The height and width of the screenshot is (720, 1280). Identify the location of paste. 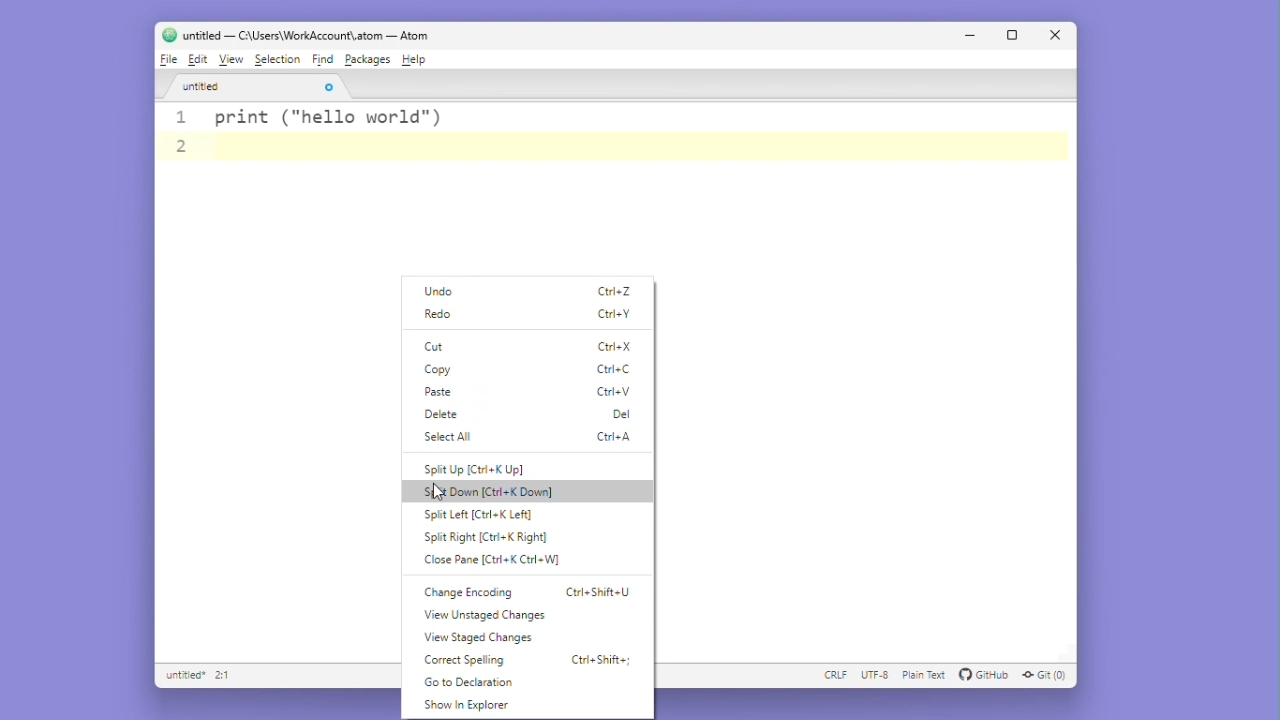
(441, 390).